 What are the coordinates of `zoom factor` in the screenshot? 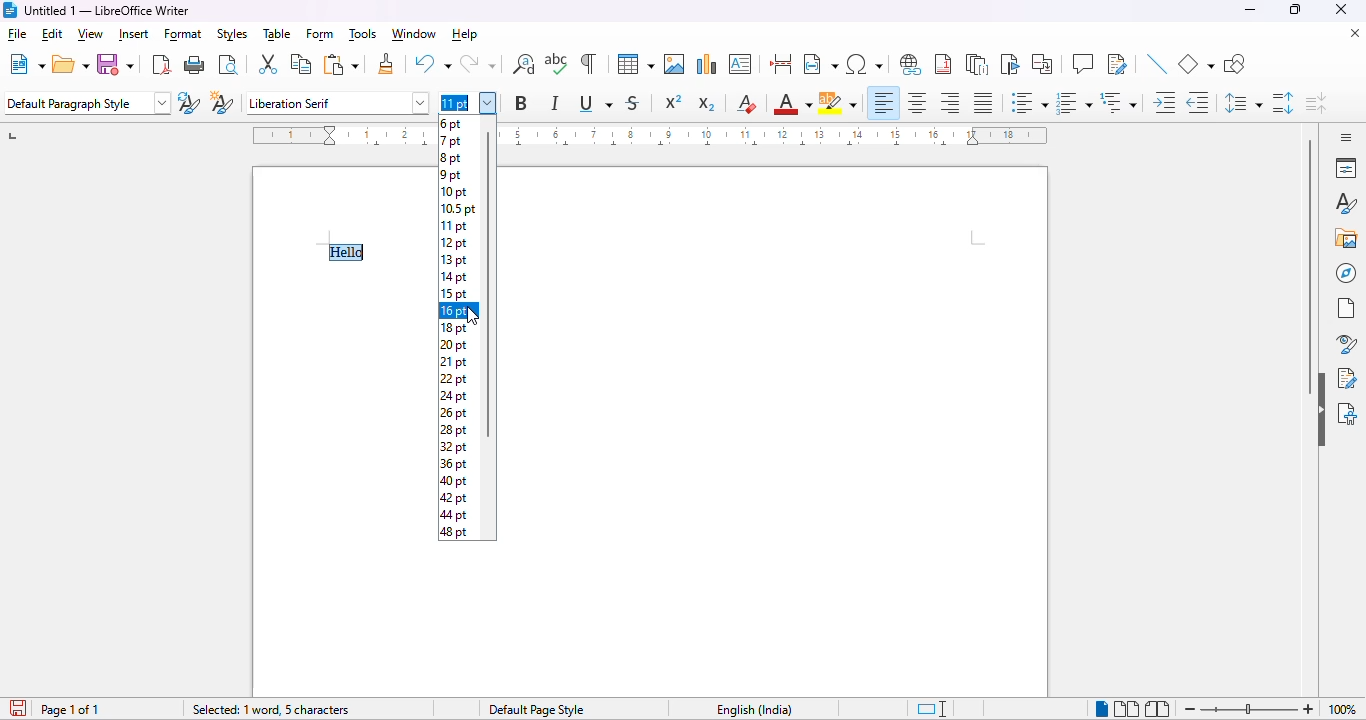 It's located at (1345, 710).